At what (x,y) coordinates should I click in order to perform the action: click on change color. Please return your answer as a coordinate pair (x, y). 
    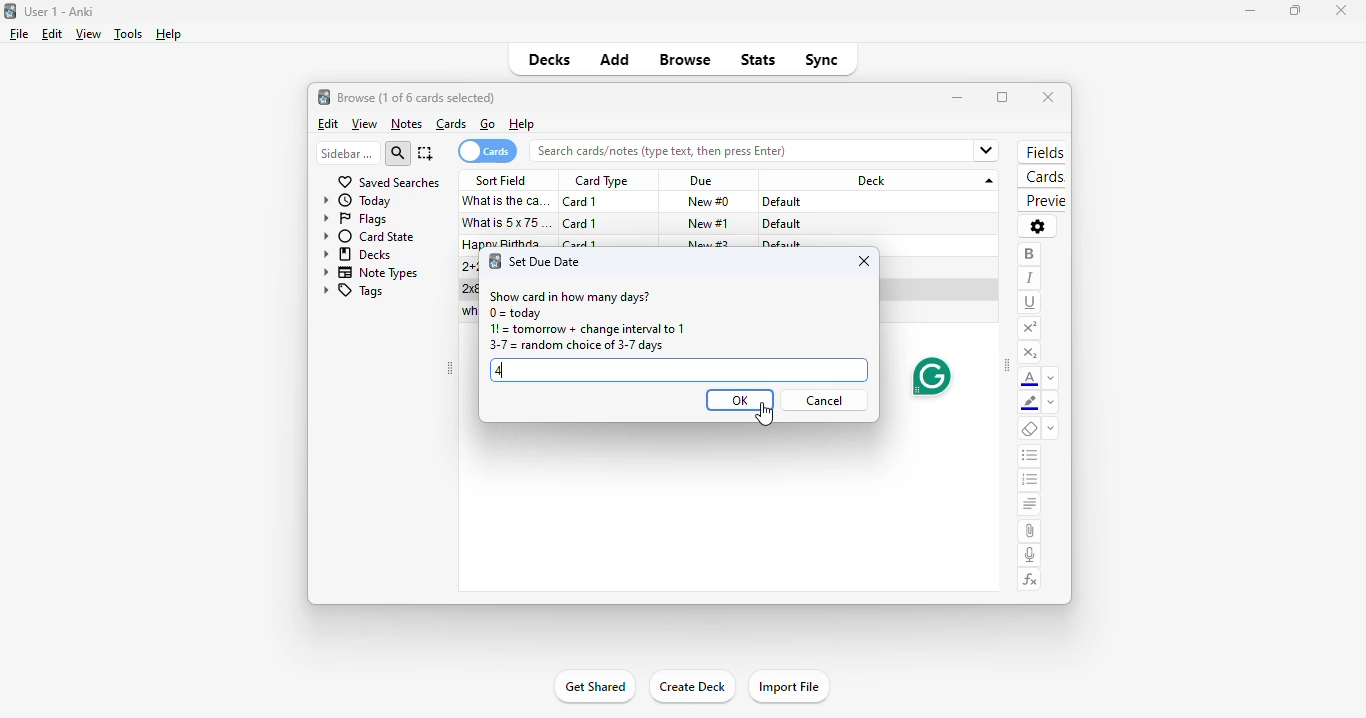
    Looking at the image, I should click on (1051, 404).